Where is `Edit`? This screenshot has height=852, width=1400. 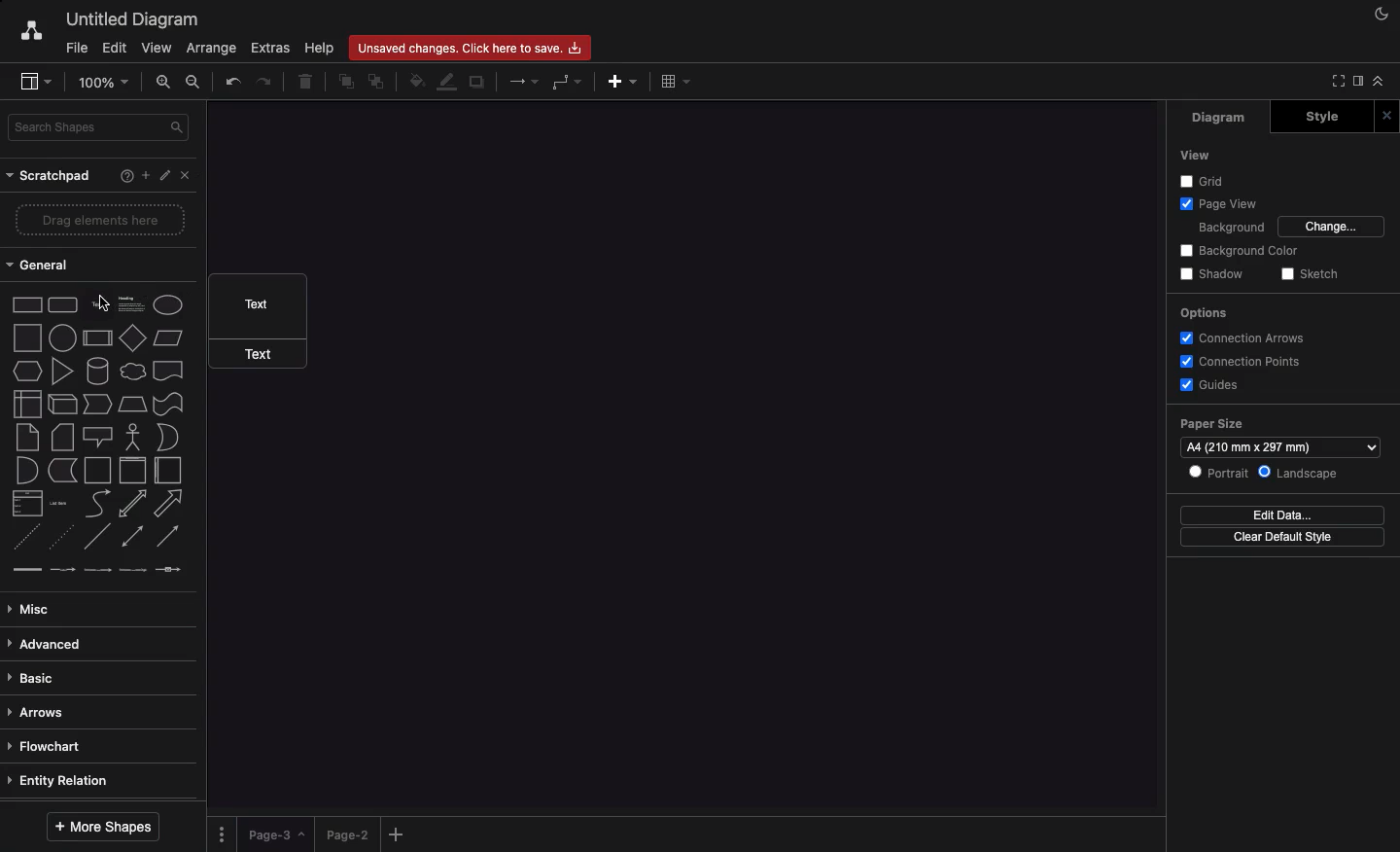
Edit is located at coordinates (166, 176).